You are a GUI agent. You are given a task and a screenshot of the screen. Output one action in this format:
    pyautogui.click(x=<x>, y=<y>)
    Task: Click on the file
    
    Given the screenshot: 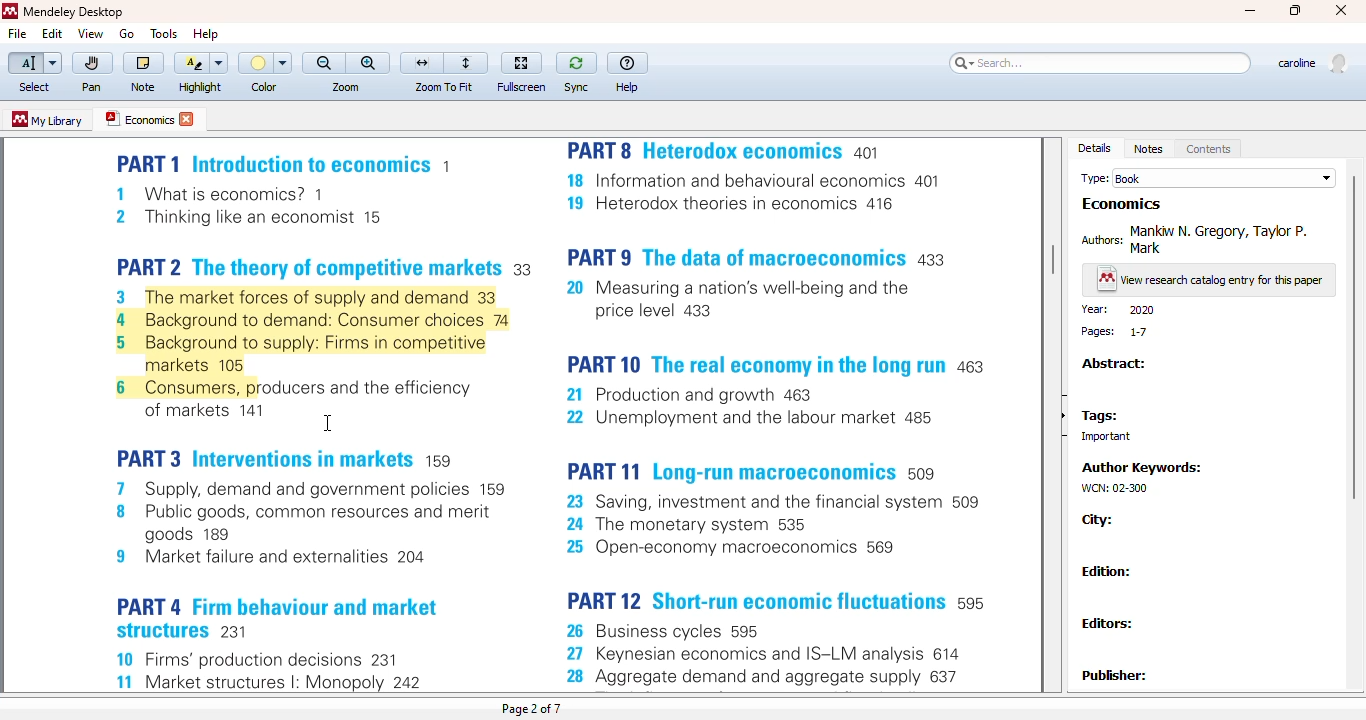 What is the action you would take?
    pyautogui.click(x=16, y=34)
    